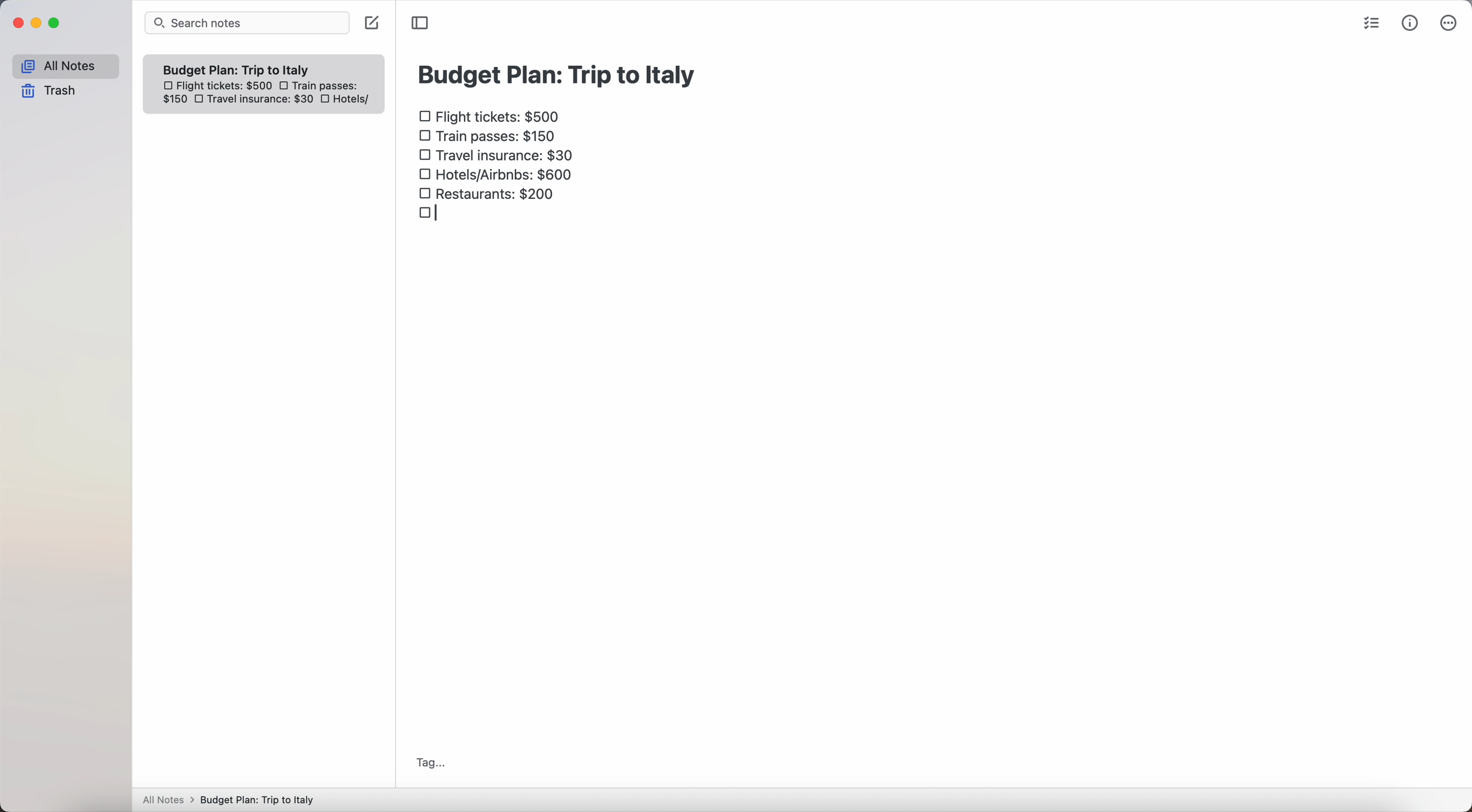  I want to click on maximize, so click(57, 23).